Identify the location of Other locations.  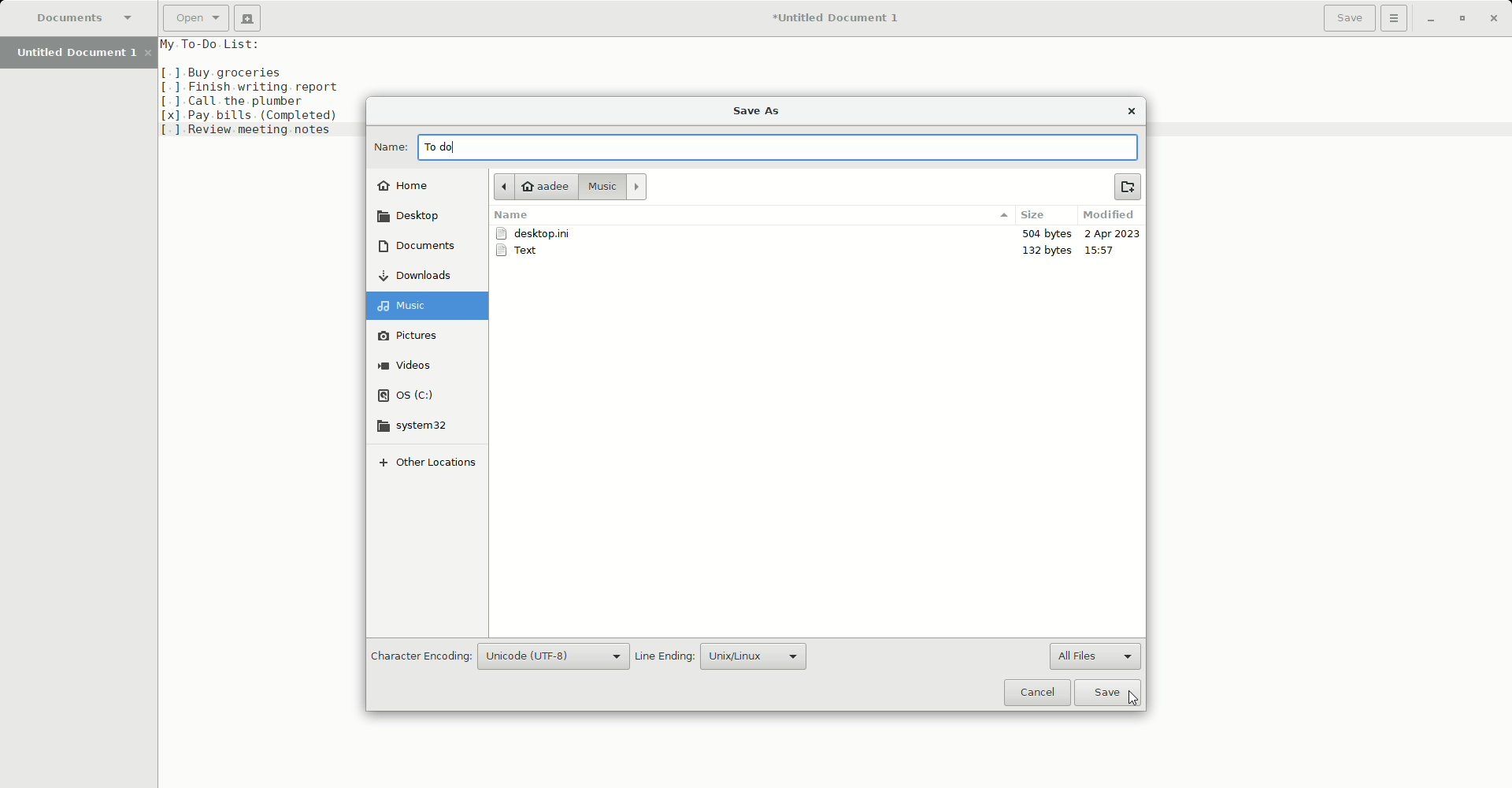
(426, 466).